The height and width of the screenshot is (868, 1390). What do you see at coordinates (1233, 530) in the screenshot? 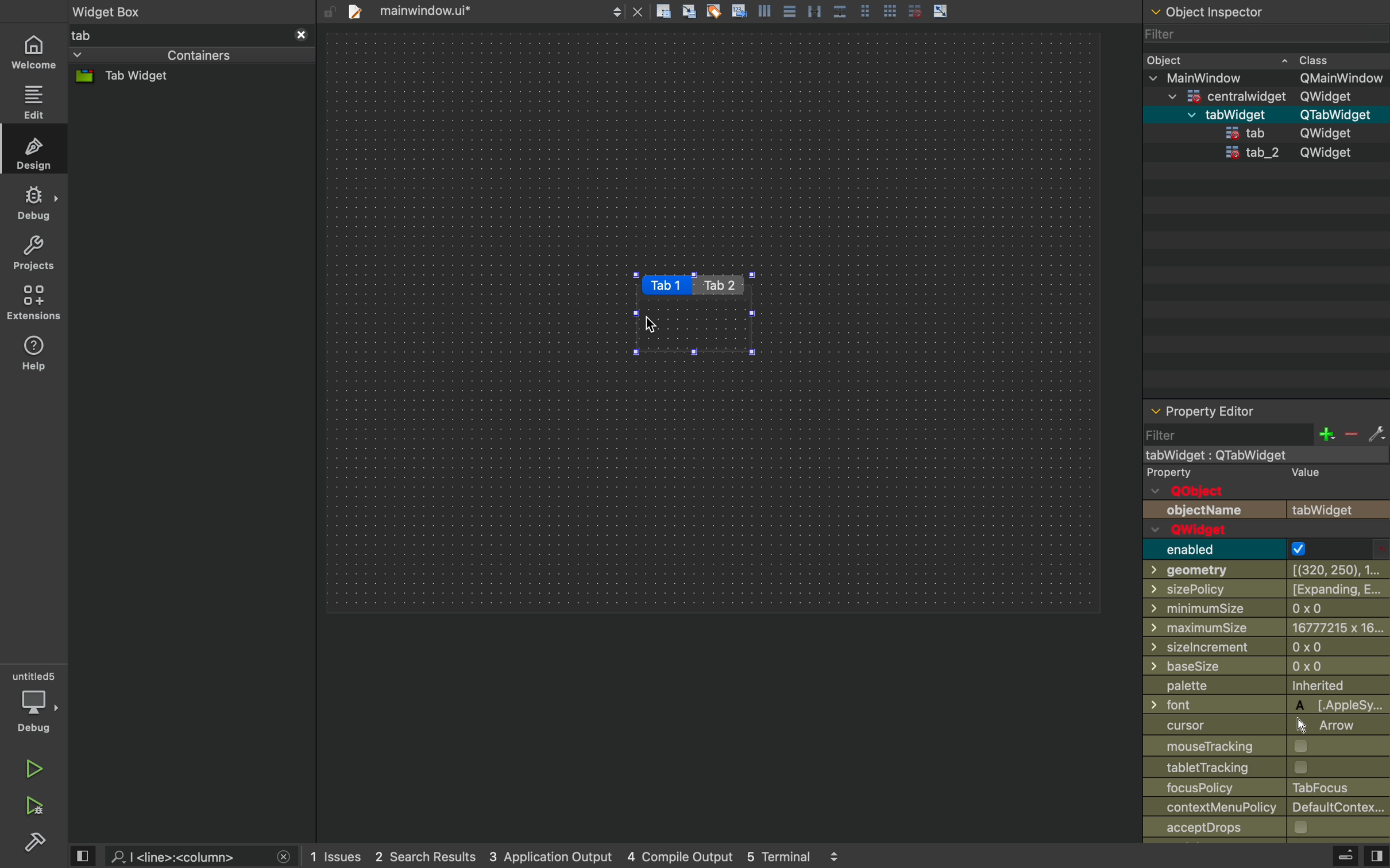
I see `qwidget` at bounding box center [1233, 530].